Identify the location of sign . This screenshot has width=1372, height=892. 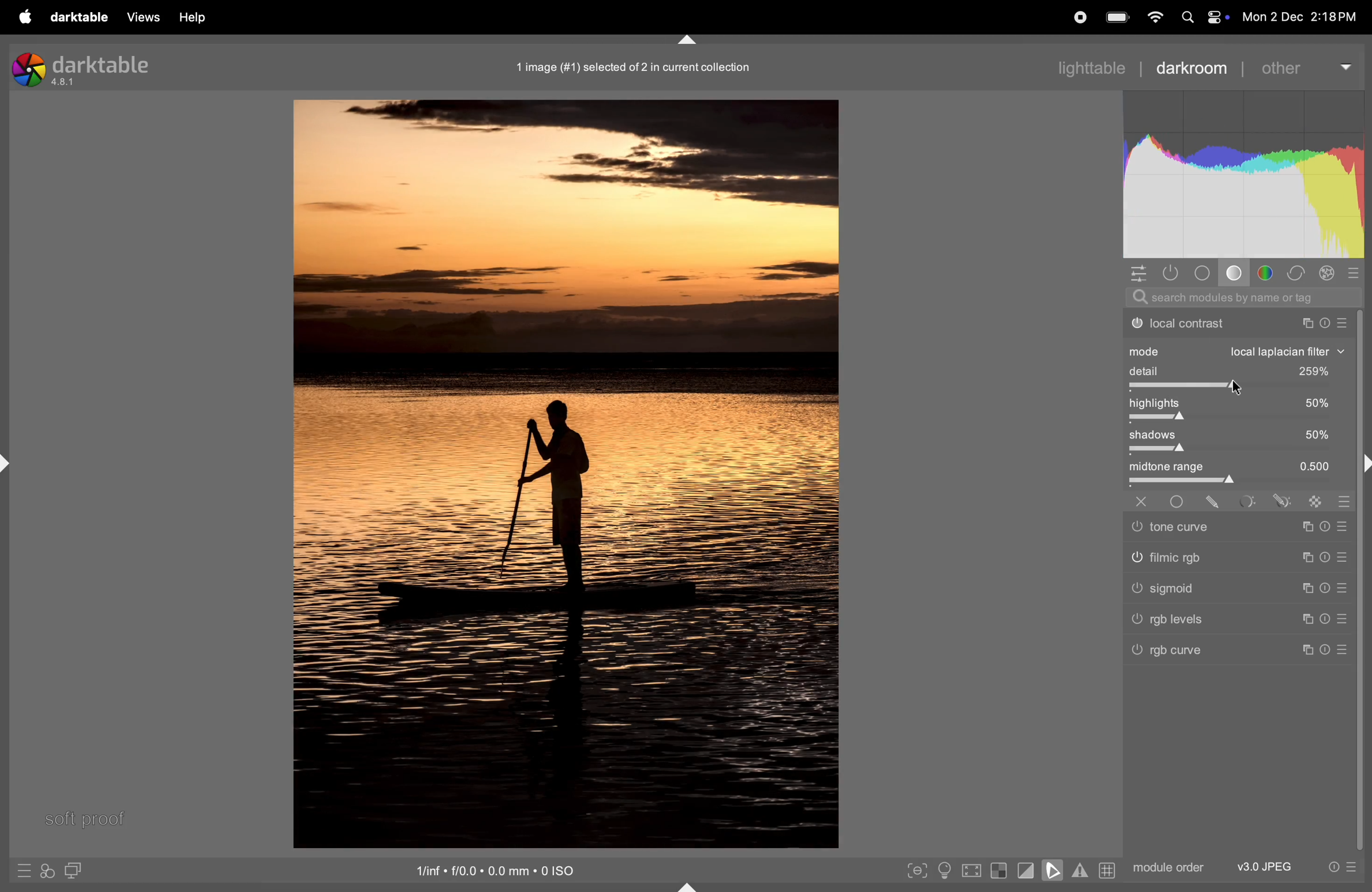
(1325, 558).